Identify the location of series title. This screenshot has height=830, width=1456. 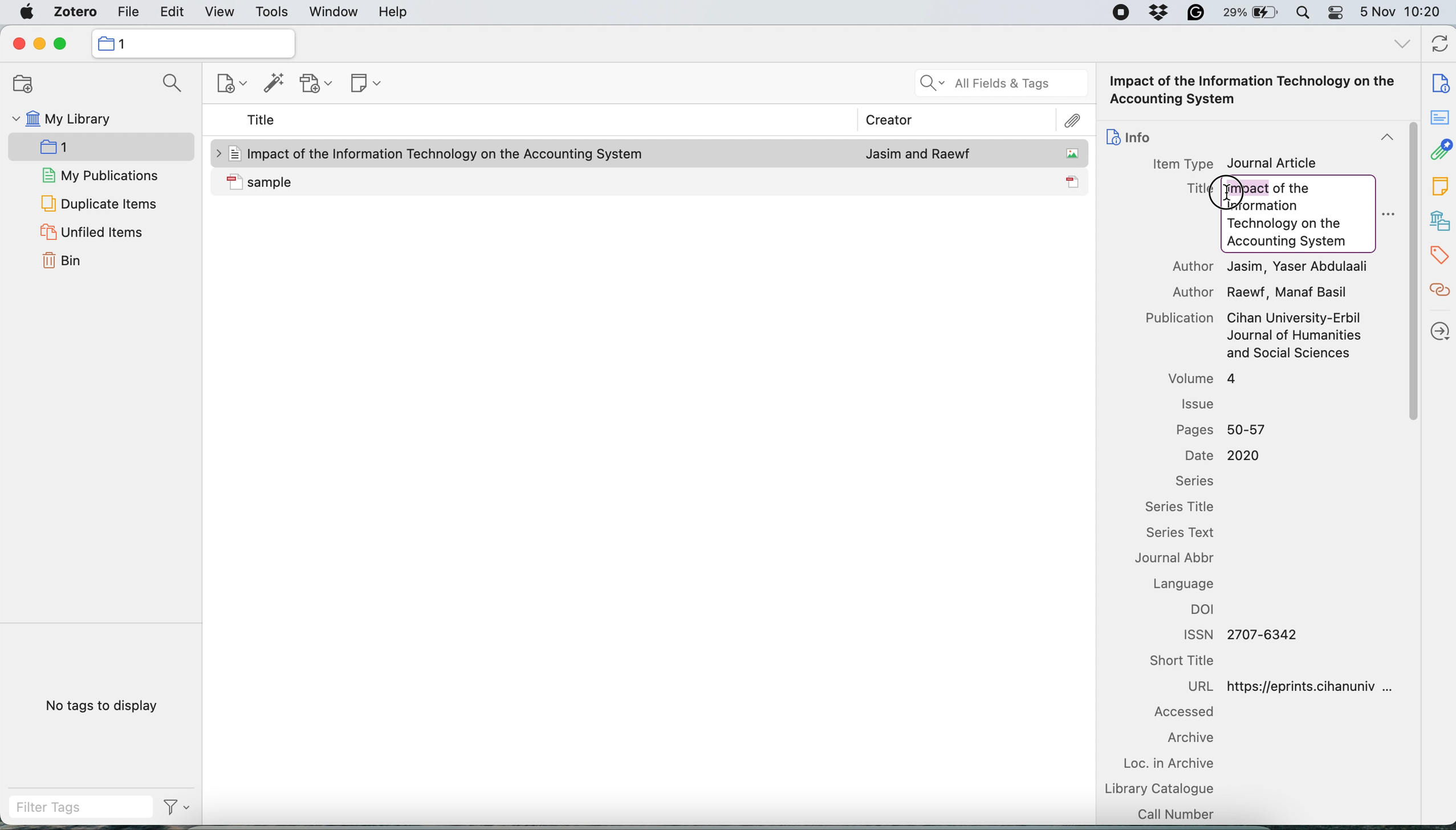
(1183, 508).